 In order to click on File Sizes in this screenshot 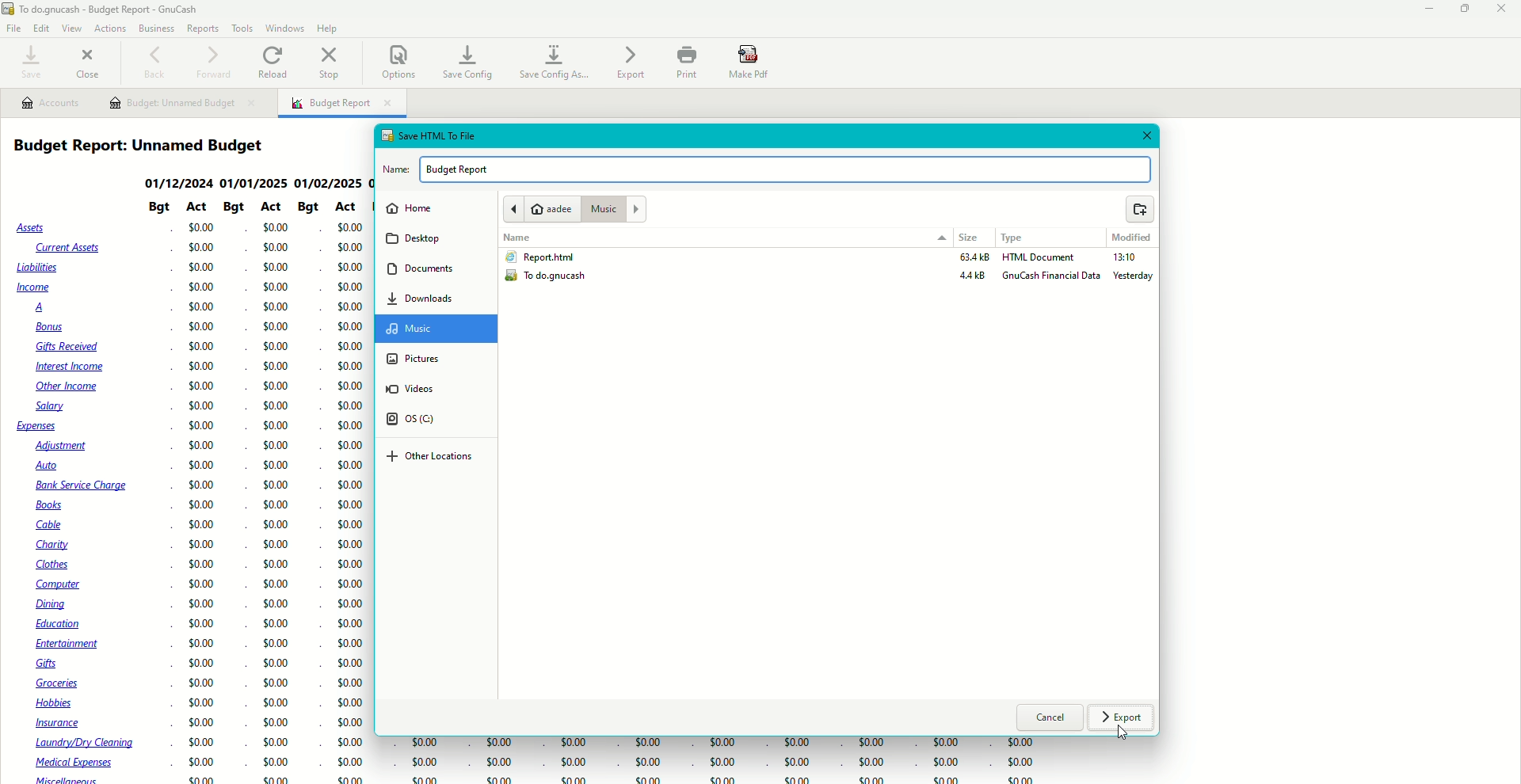, I will do `click(970, 270)`.